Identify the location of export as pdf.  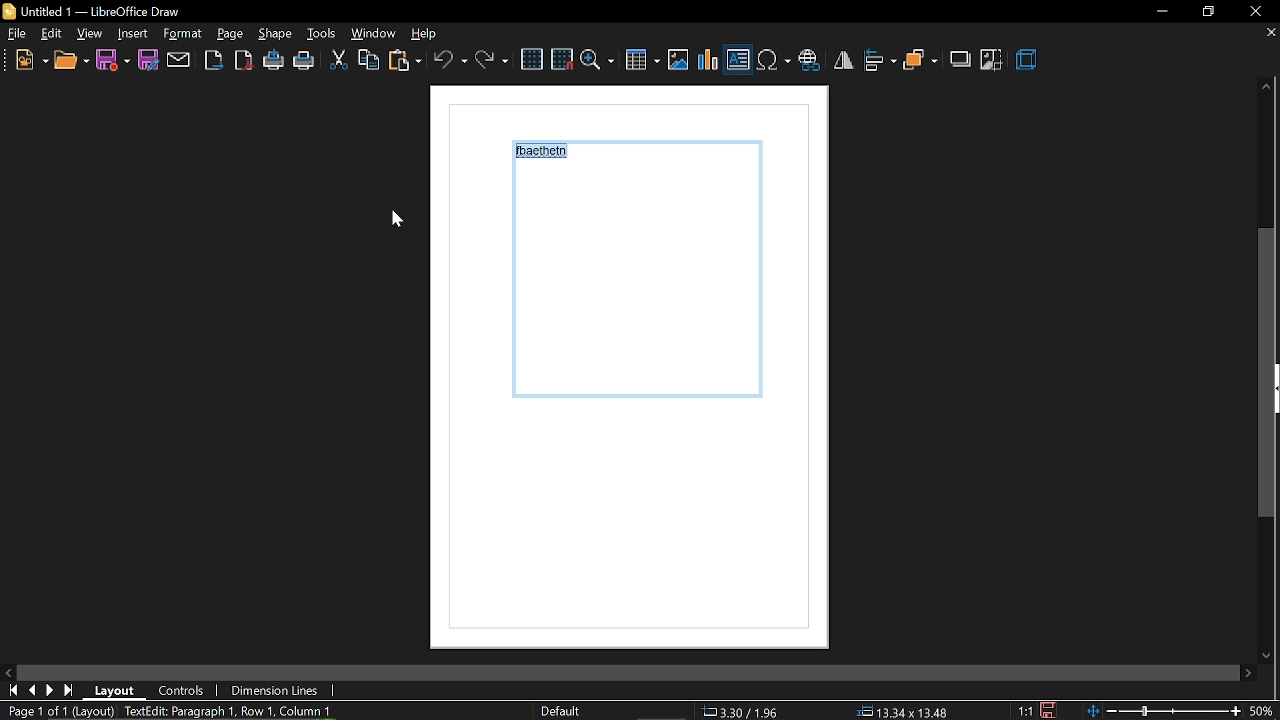
(243, 60).